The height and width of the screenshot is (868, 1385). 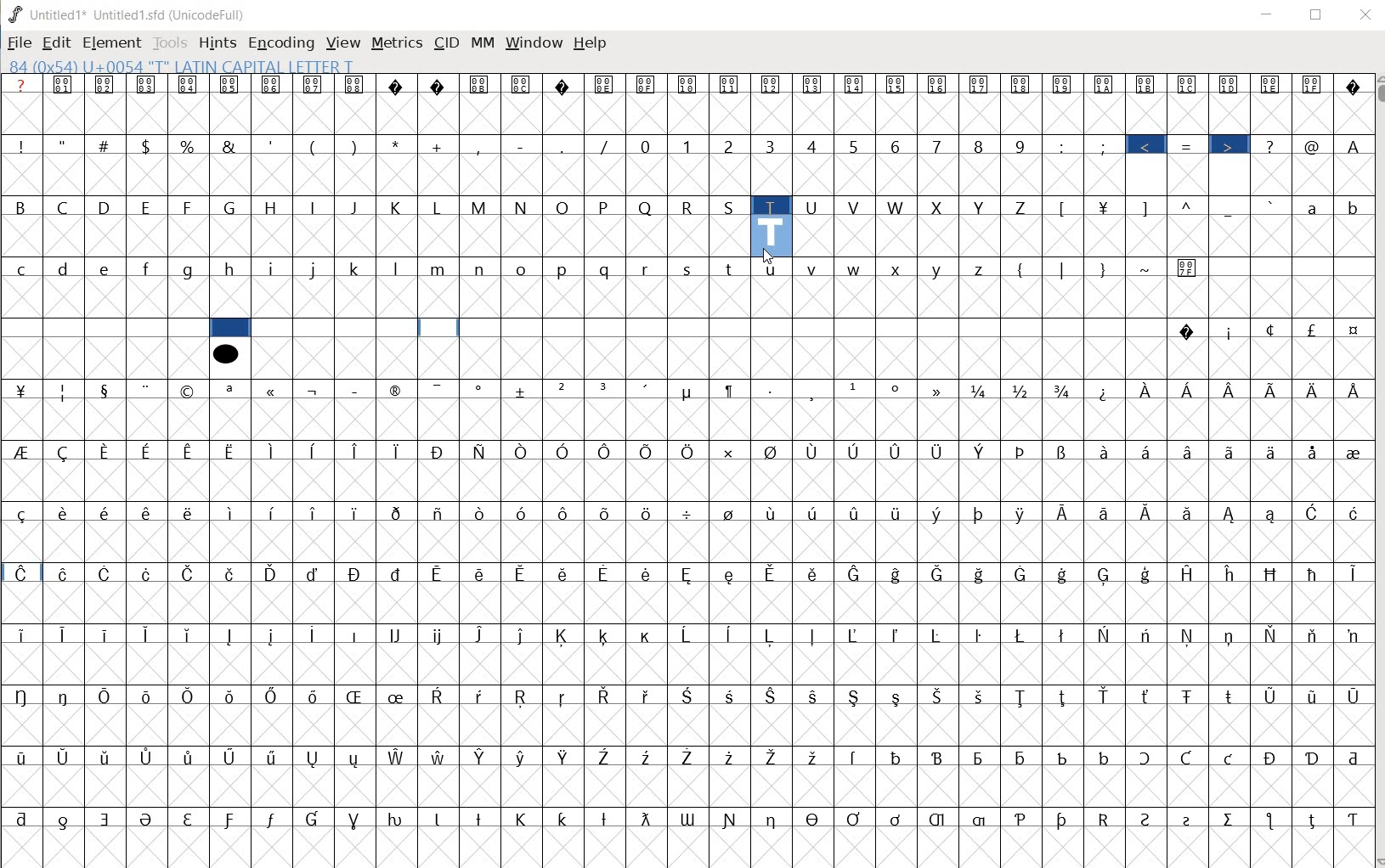 I want to click on Symbol, so click(x=689, y=819).